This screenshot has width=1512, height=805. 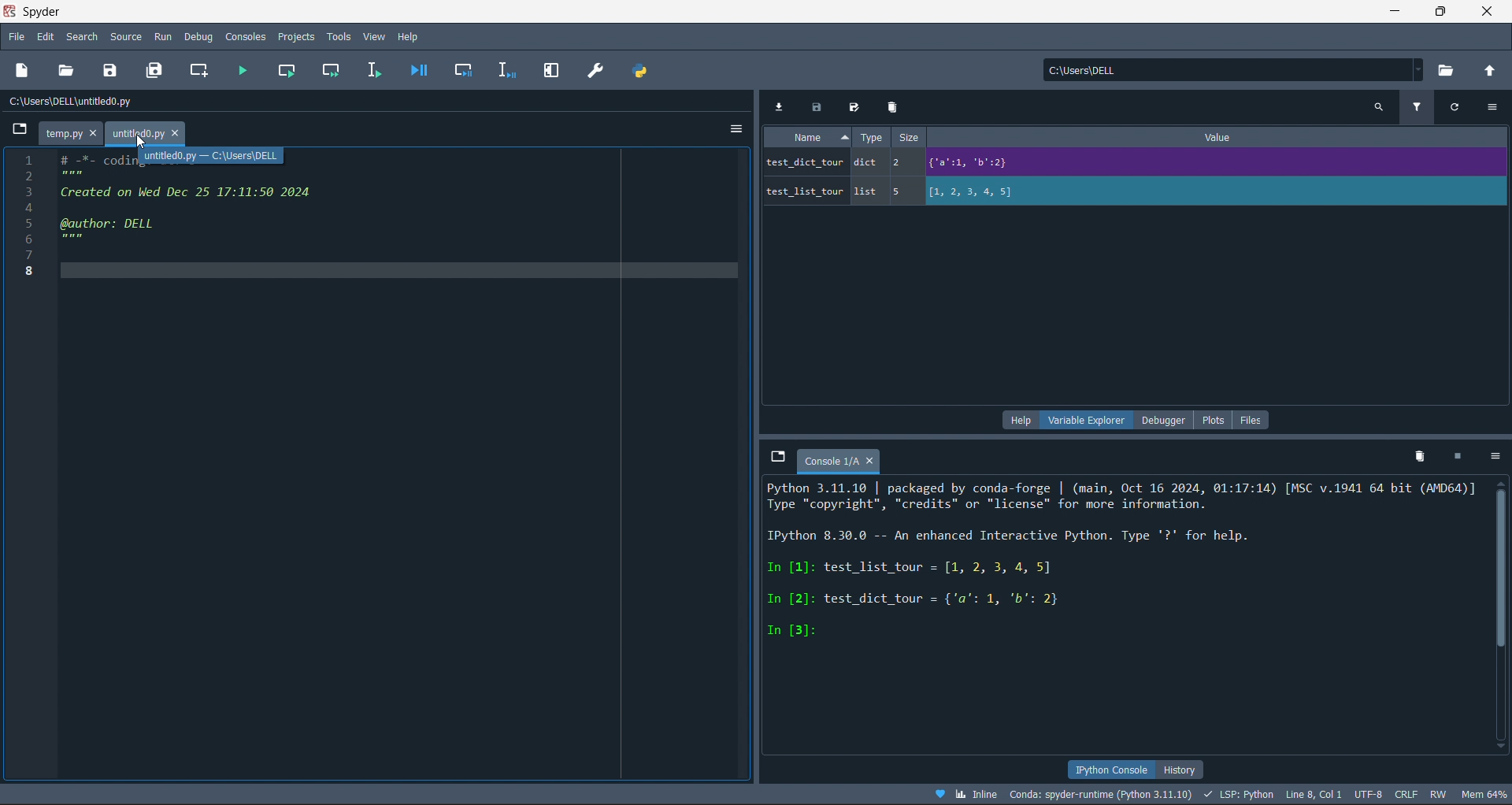 I want to click on minimize, so click(x=1397, y=13).